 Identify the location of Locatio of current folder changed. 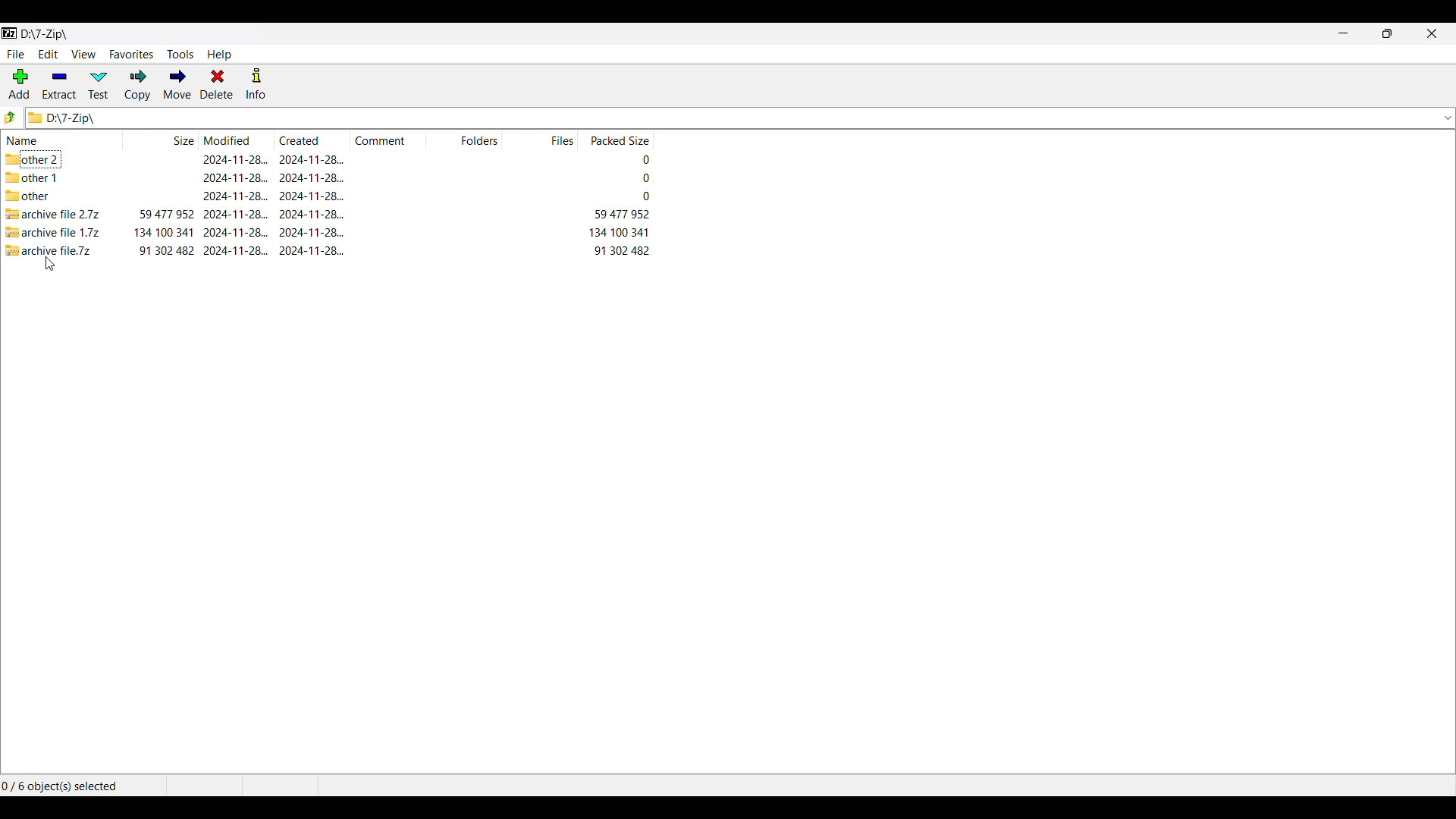
(47, 34).